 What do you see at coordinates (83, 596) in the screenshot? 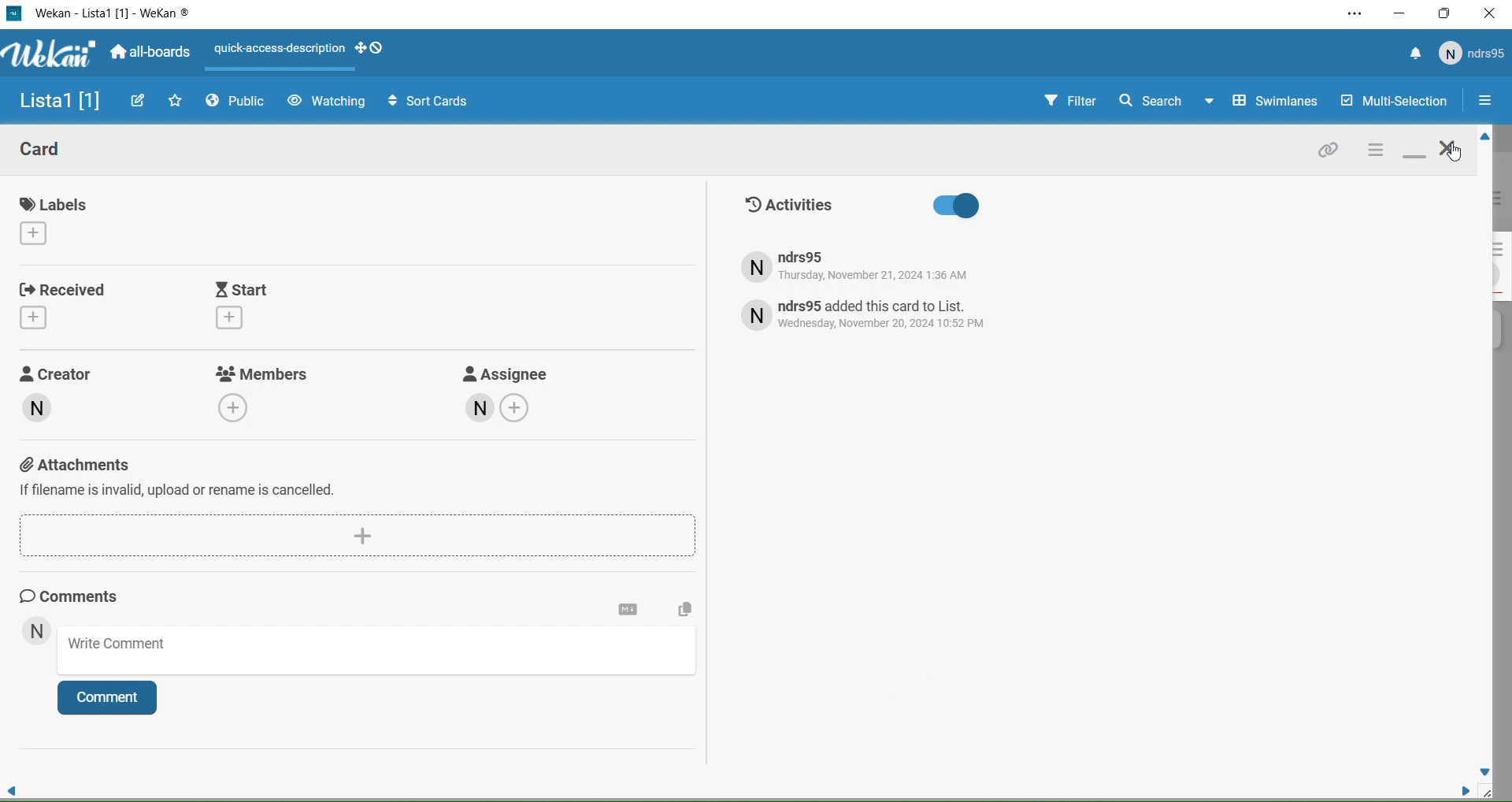
I see `Comments` at bounding box center [83, 596].